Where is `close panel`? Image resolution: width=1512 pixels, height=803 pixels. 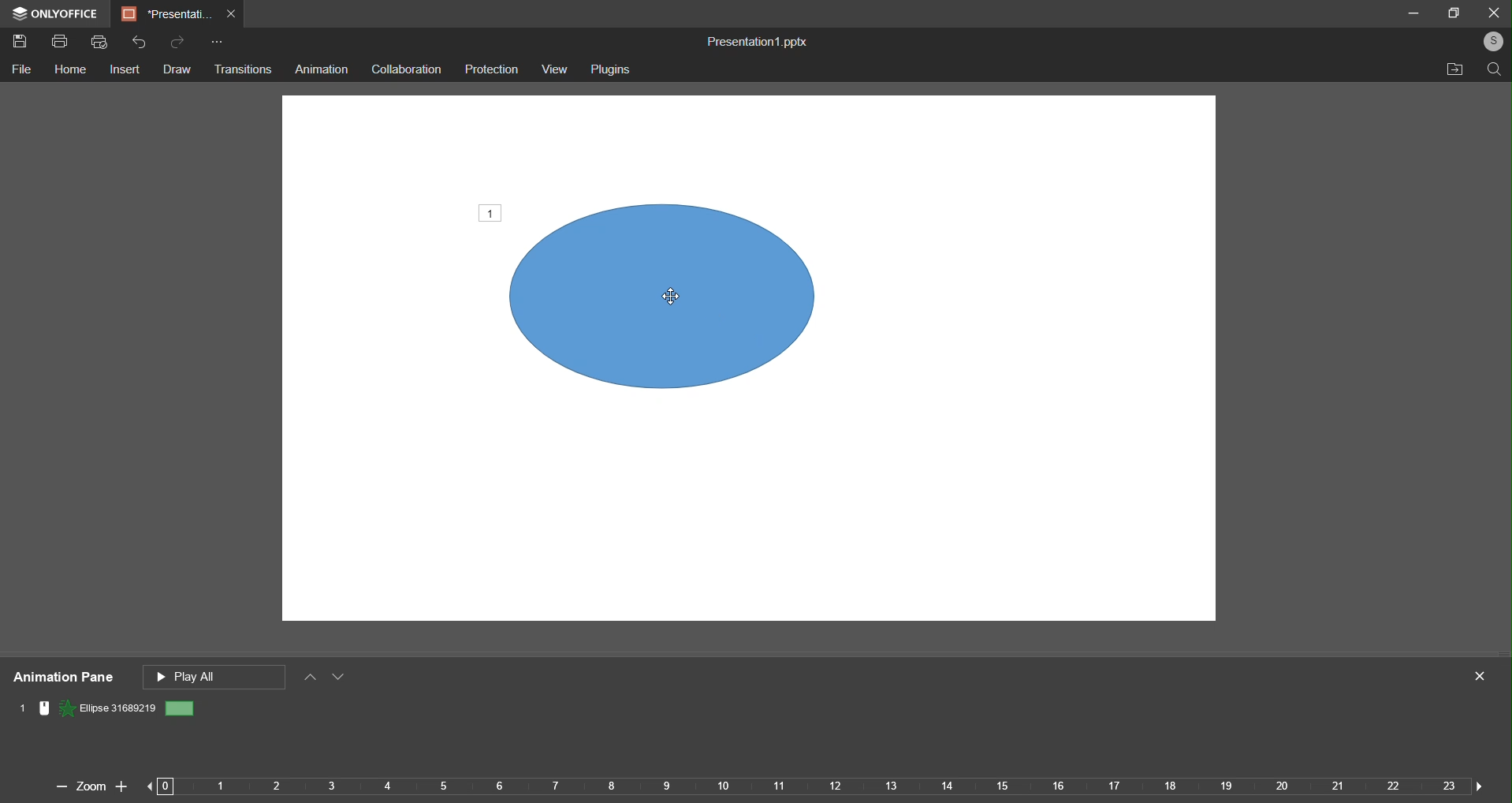
close panel is located at coordinates (1481, 675).